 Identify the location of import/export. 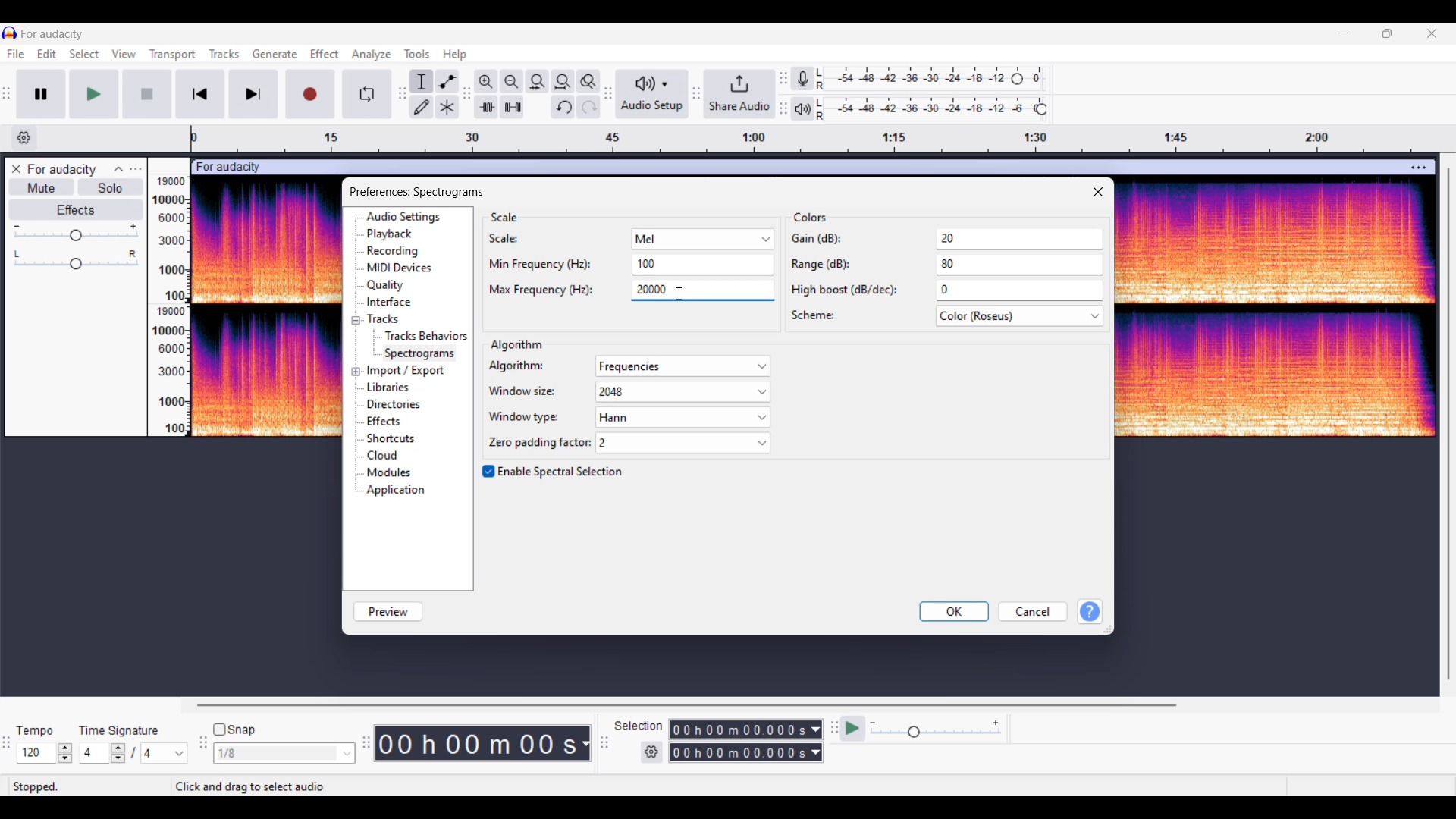
(409, 369).